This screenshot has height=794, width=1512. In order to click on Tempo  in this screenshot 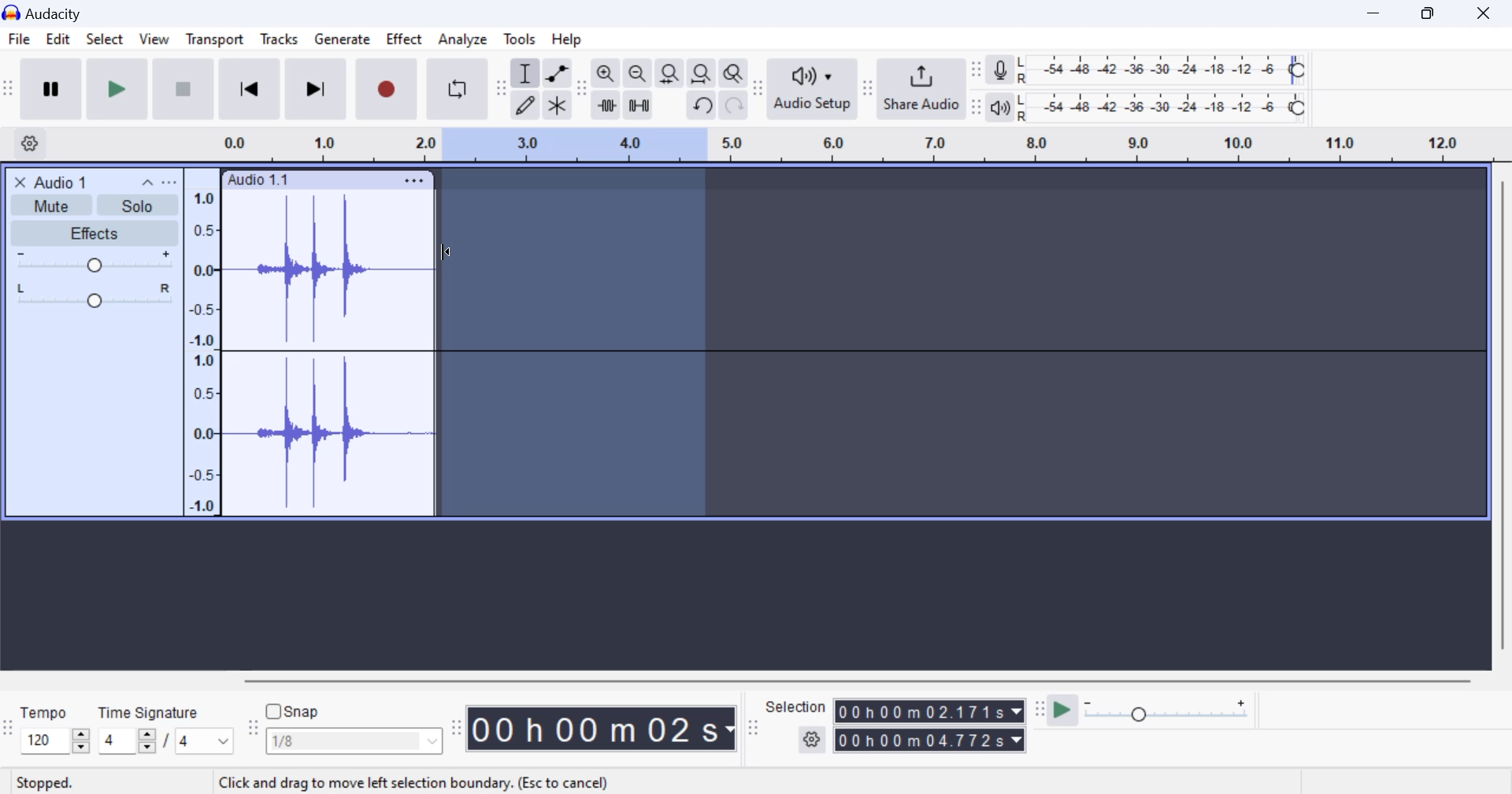, I will do `click(45, 711)`.